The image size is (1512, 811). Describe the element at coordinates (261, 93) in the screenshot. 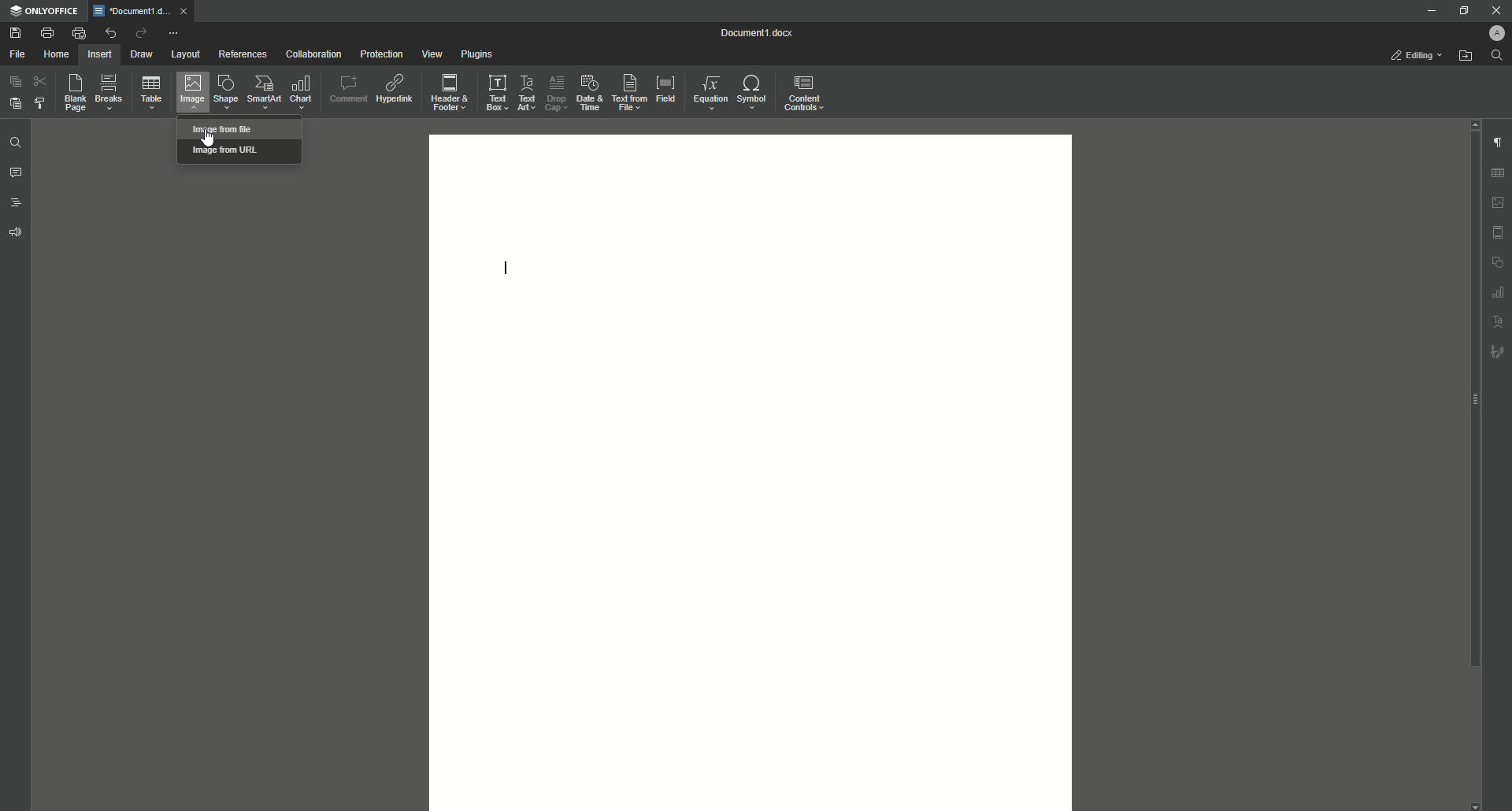

I see `SmartArt` at that location.